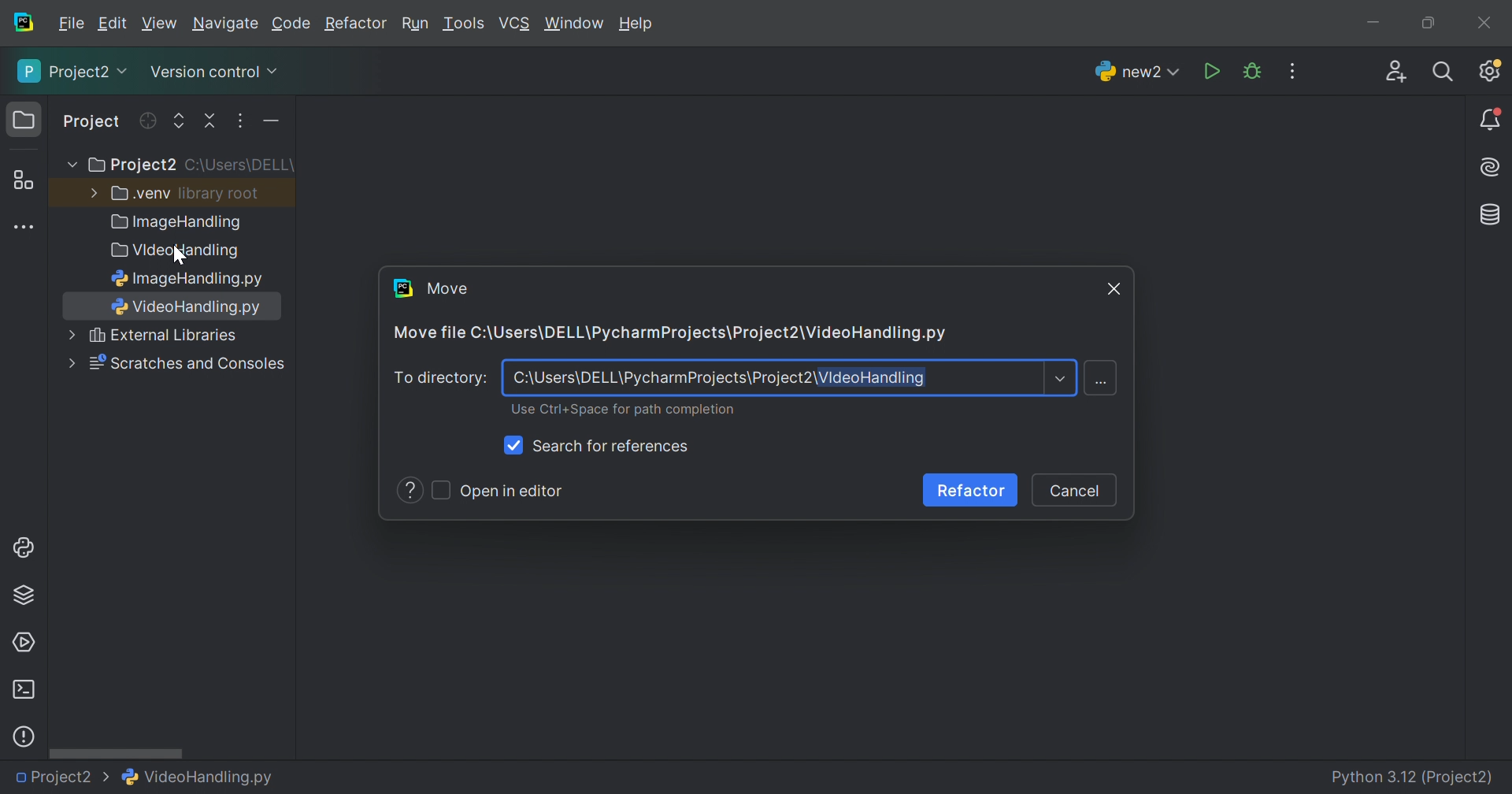 This screenshot has height=794, width=1512. Describe the element at coordinates (72, 24) in the screenshot. I see `File` at that location.